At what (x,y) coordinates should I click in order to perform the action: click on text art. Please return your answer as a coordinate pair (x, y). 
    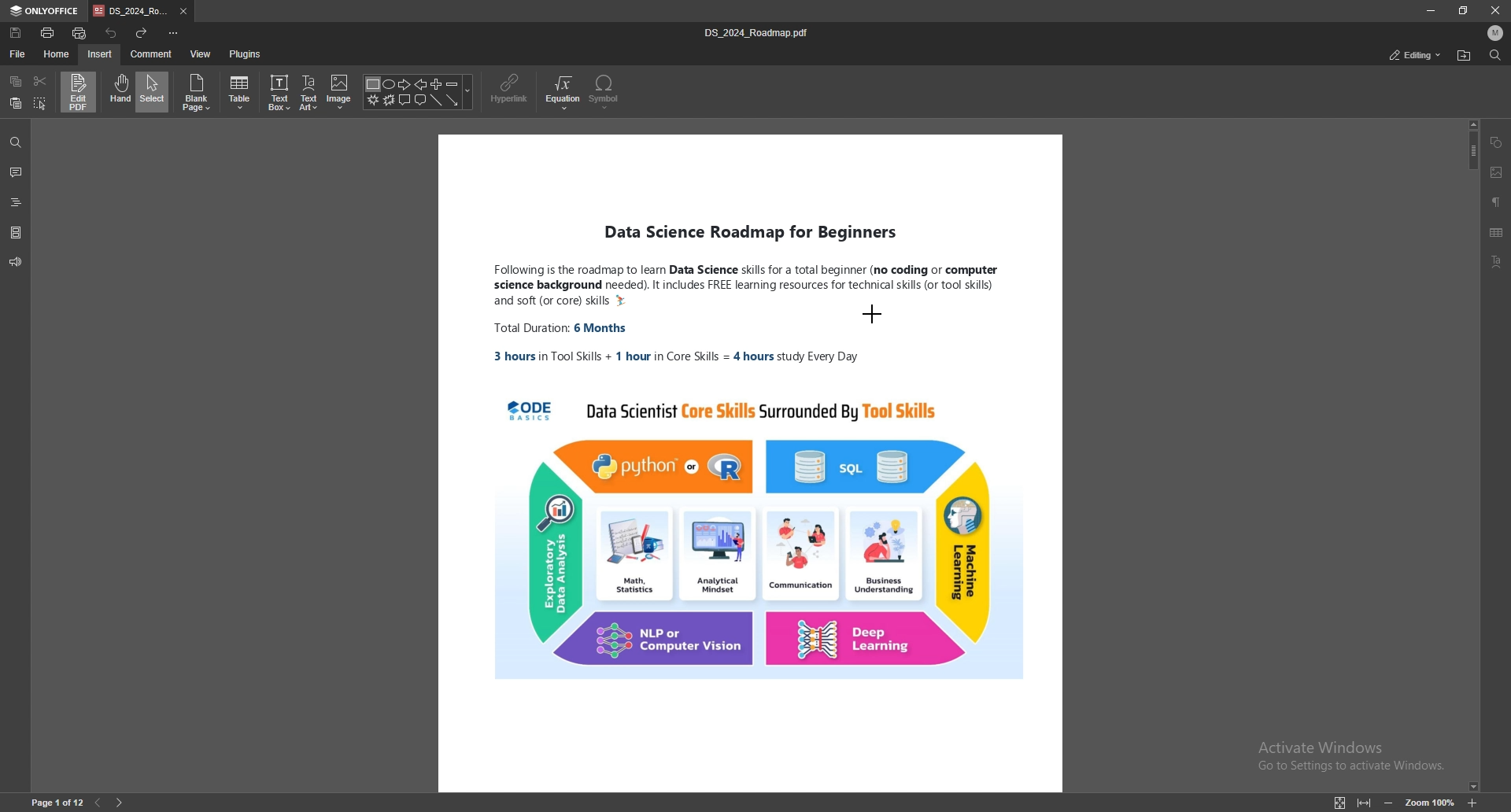
    Looking at the image, I should click on (310, 92).